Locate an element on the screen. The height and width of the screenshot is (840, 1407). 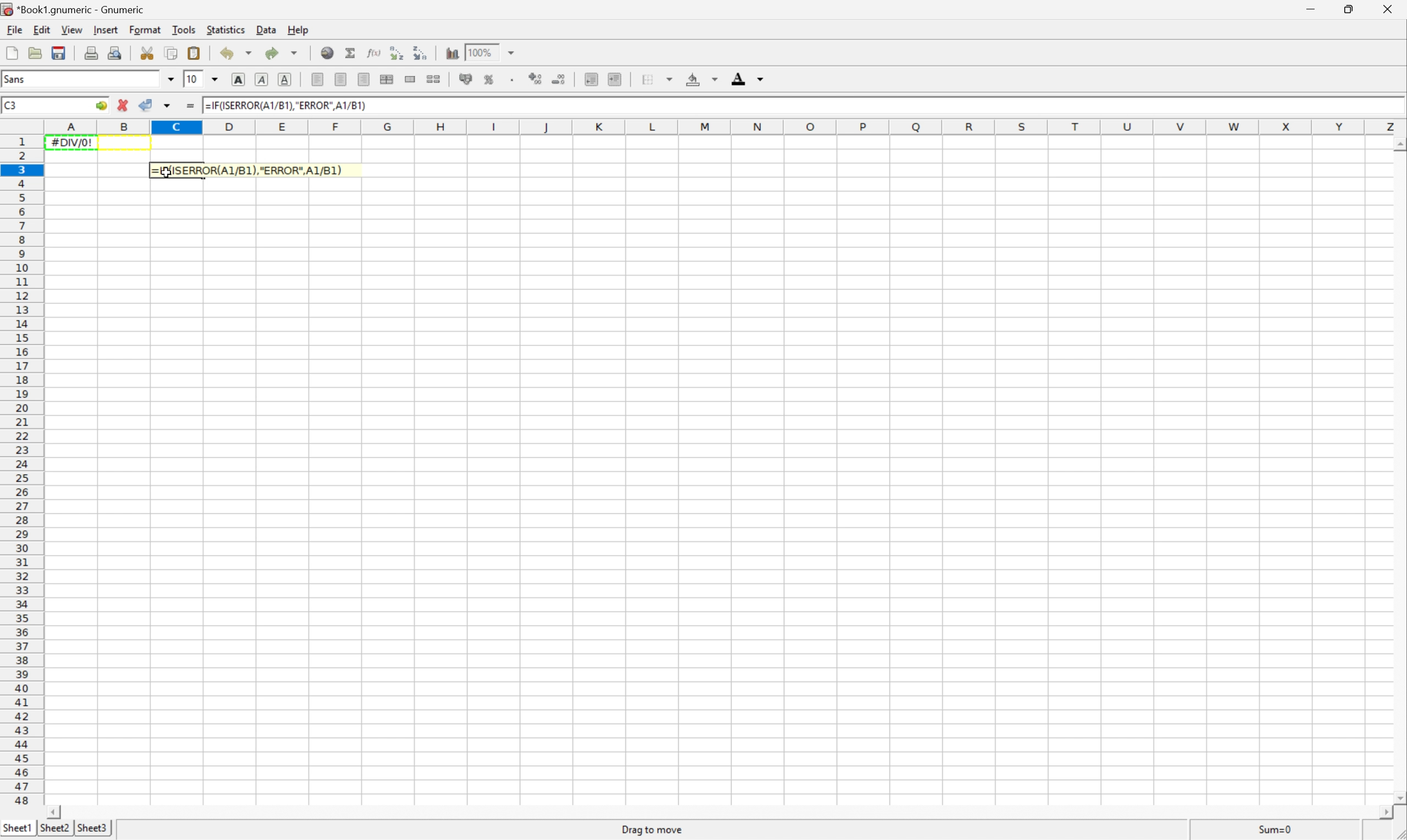
Edit a function in current cell  is located at coordinates (372, 53).